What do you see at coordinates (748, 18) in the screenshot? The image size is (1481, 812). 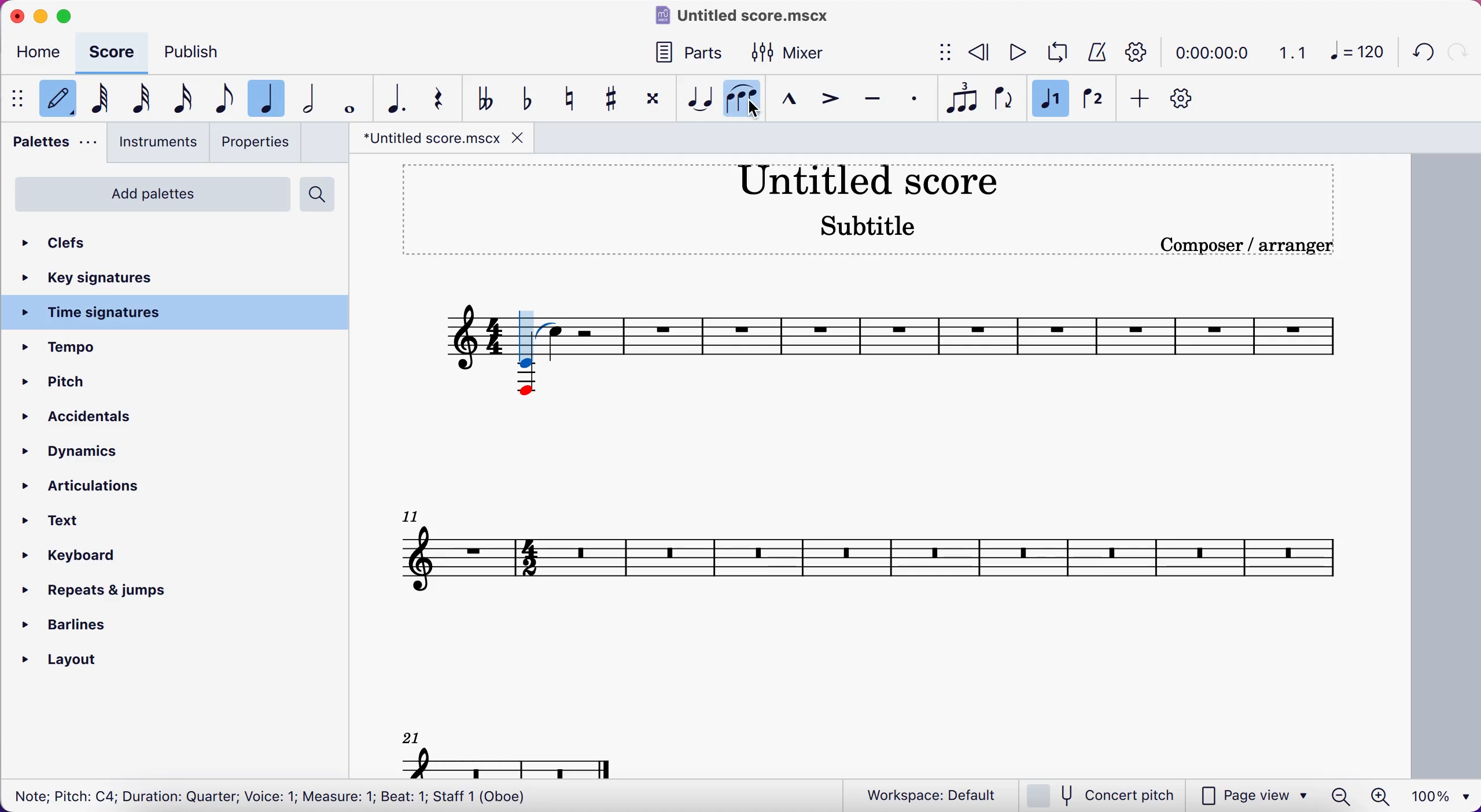 I see `untitled score.mscx` at bounding box center [748, 18].